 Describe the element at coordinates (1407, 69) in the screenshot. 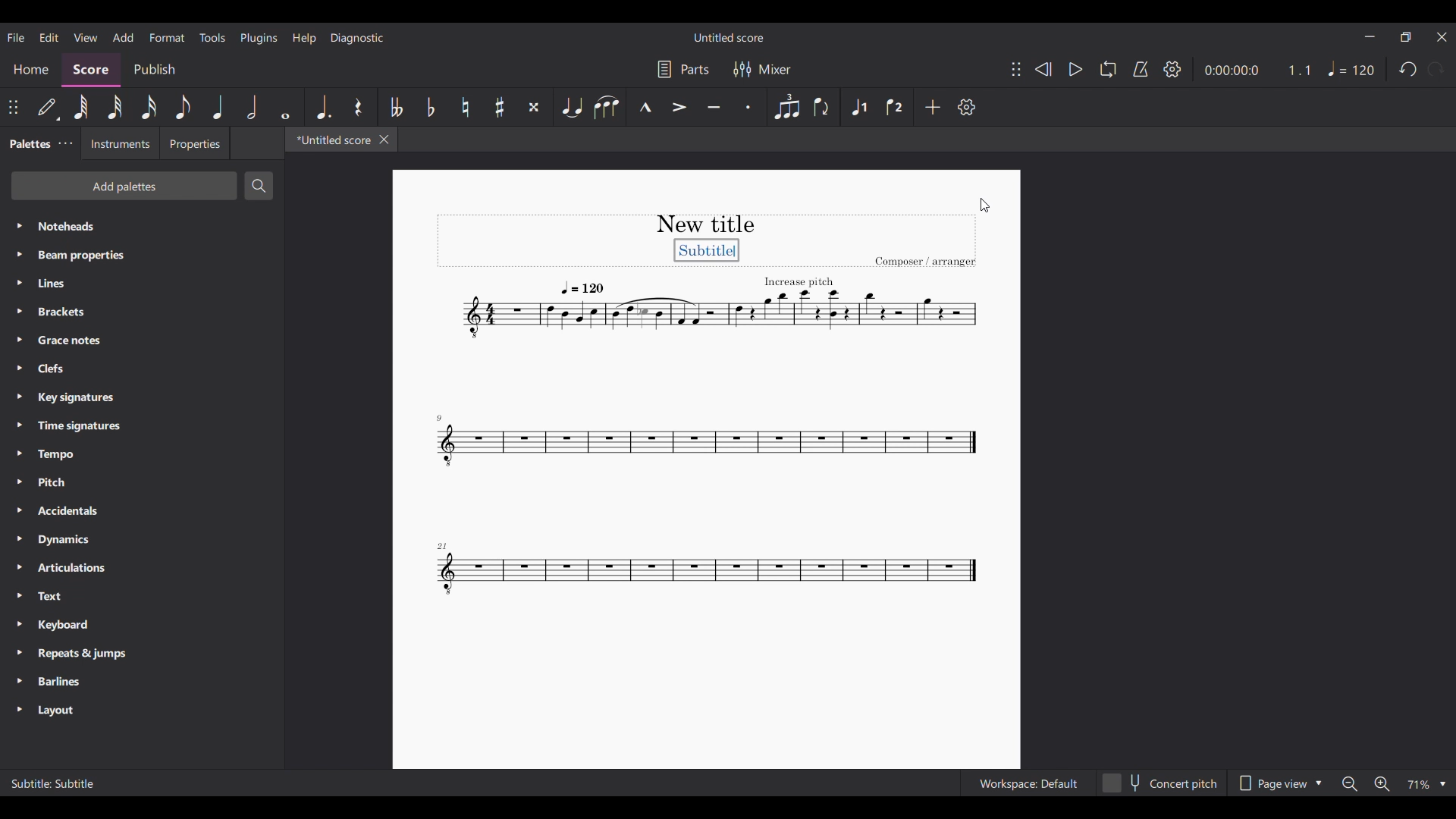

I see `Undo` at that location.